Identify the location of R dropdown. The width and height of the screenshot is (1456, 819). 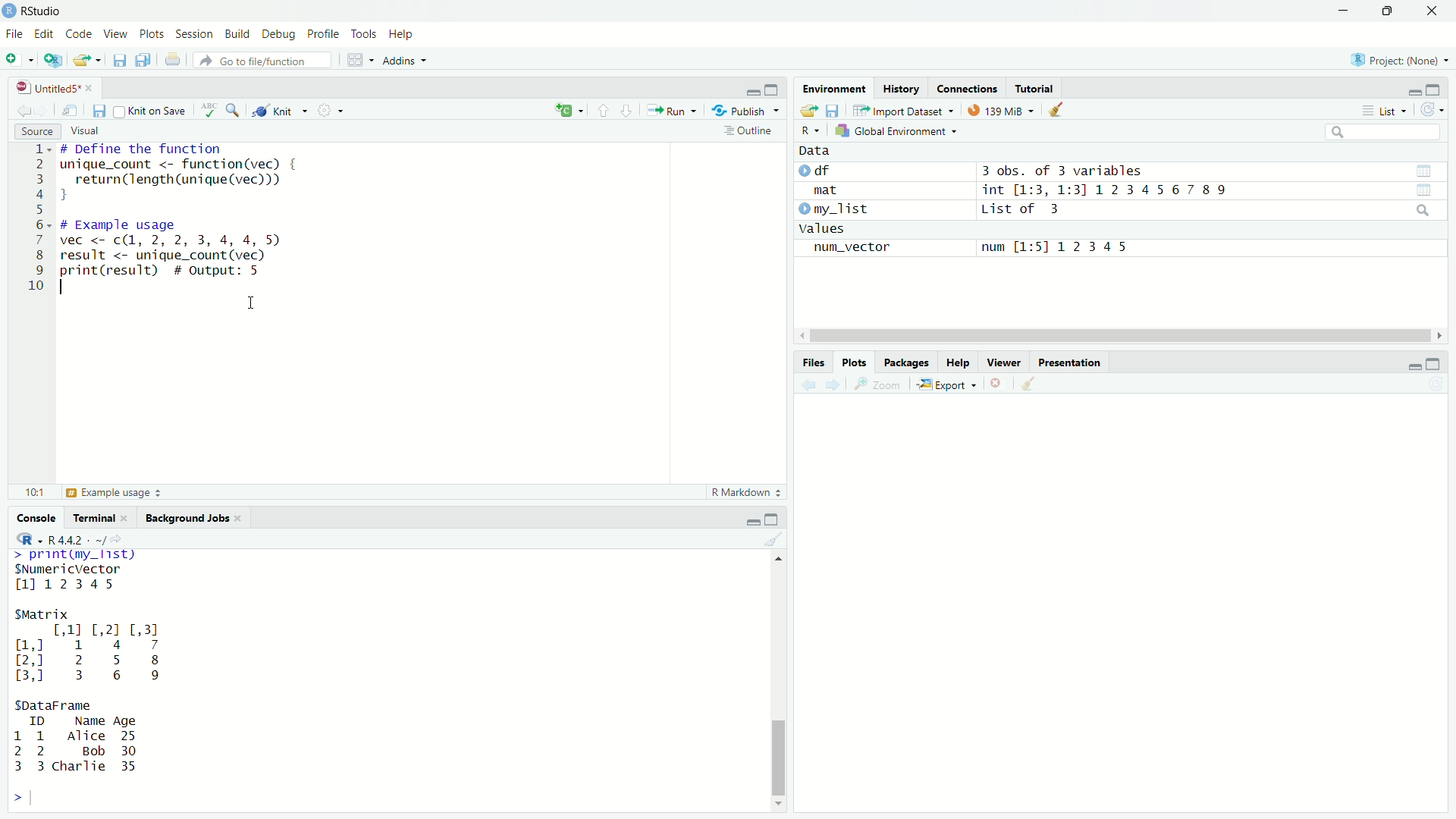
(814, 127).